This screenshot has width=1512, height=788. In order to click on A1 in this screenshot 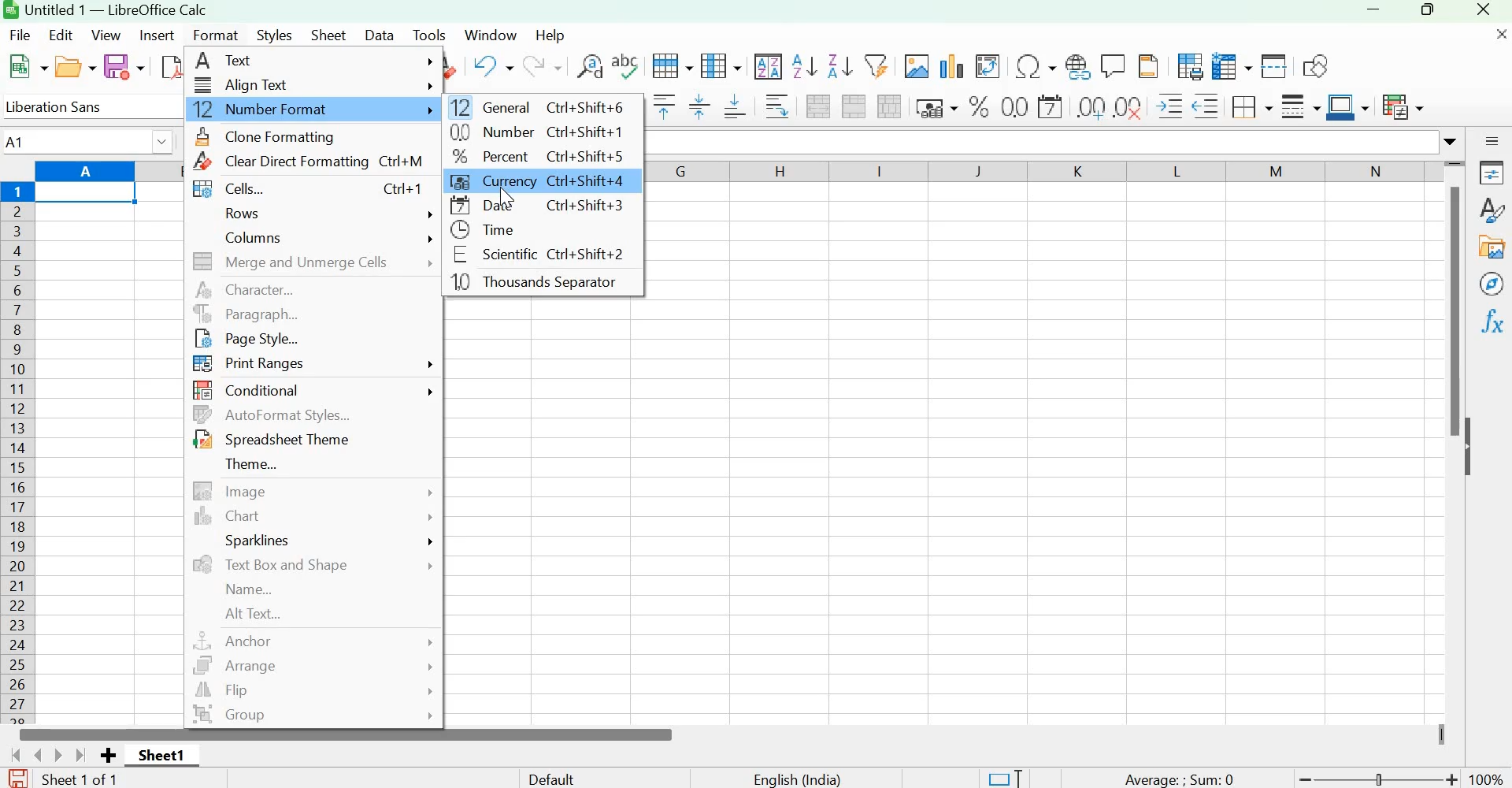, I will do `click(90, 139)`.